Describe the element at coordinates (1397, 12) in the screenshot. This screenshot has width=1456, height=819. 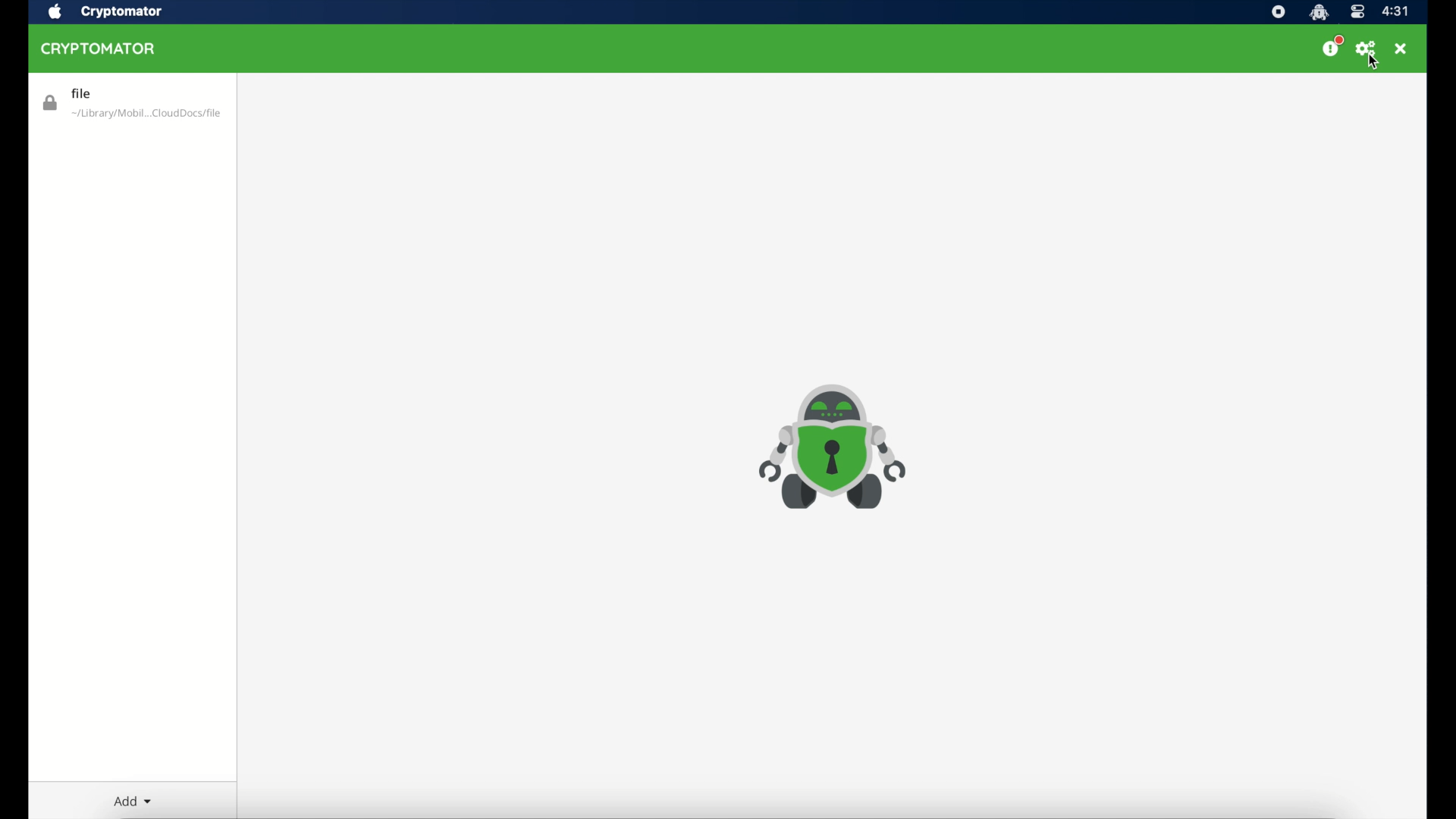
I see `time` at that location.